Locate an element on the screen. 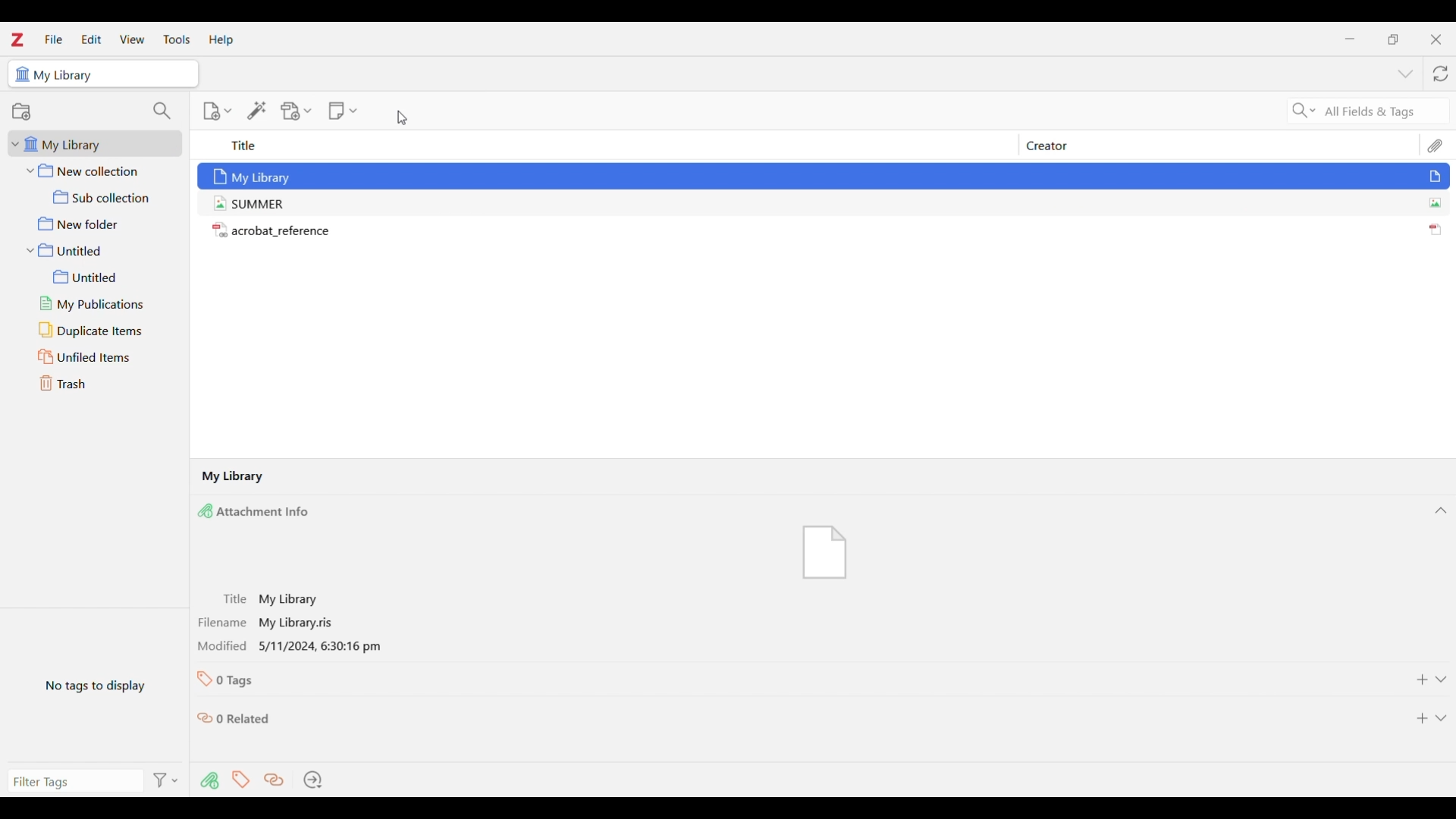 The width and height of the screenshot is (1456, 819). Filter options is located at coordinates (165, 780).